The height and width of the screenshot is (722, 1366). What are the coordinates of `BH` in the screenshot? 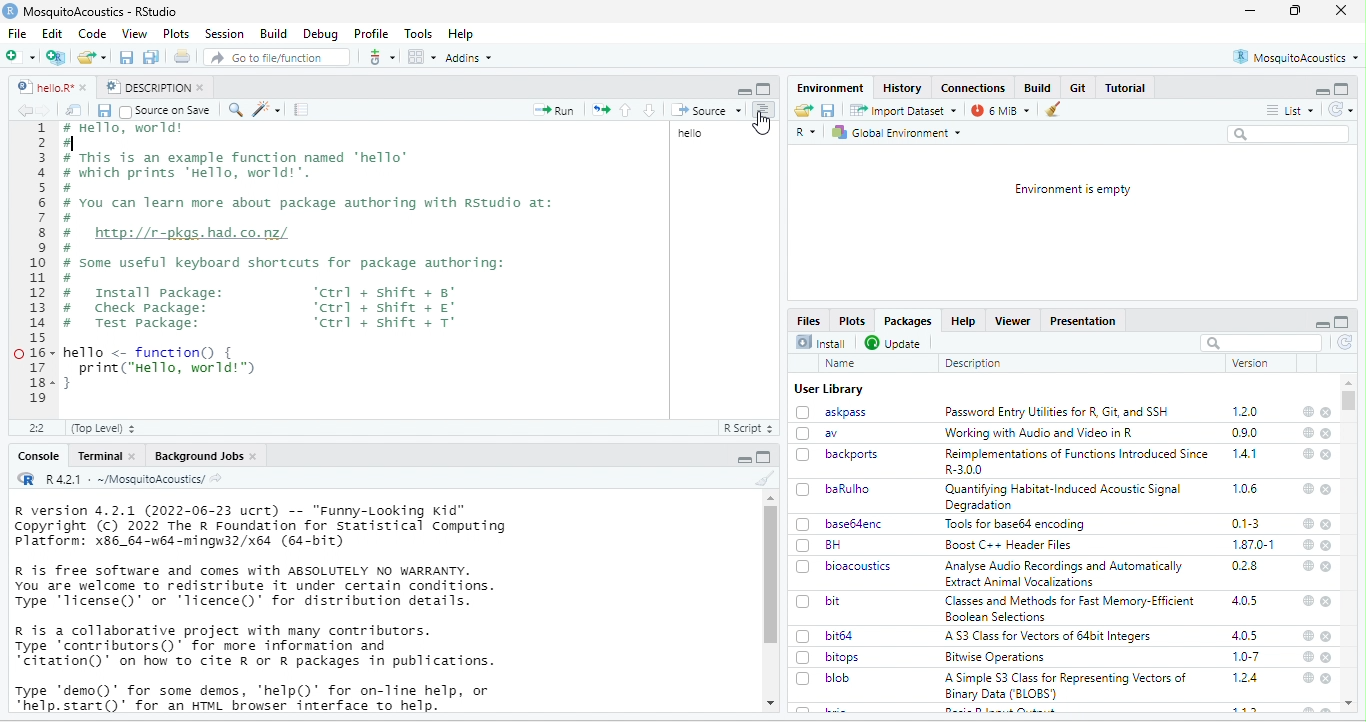 It's located at (820, 545).